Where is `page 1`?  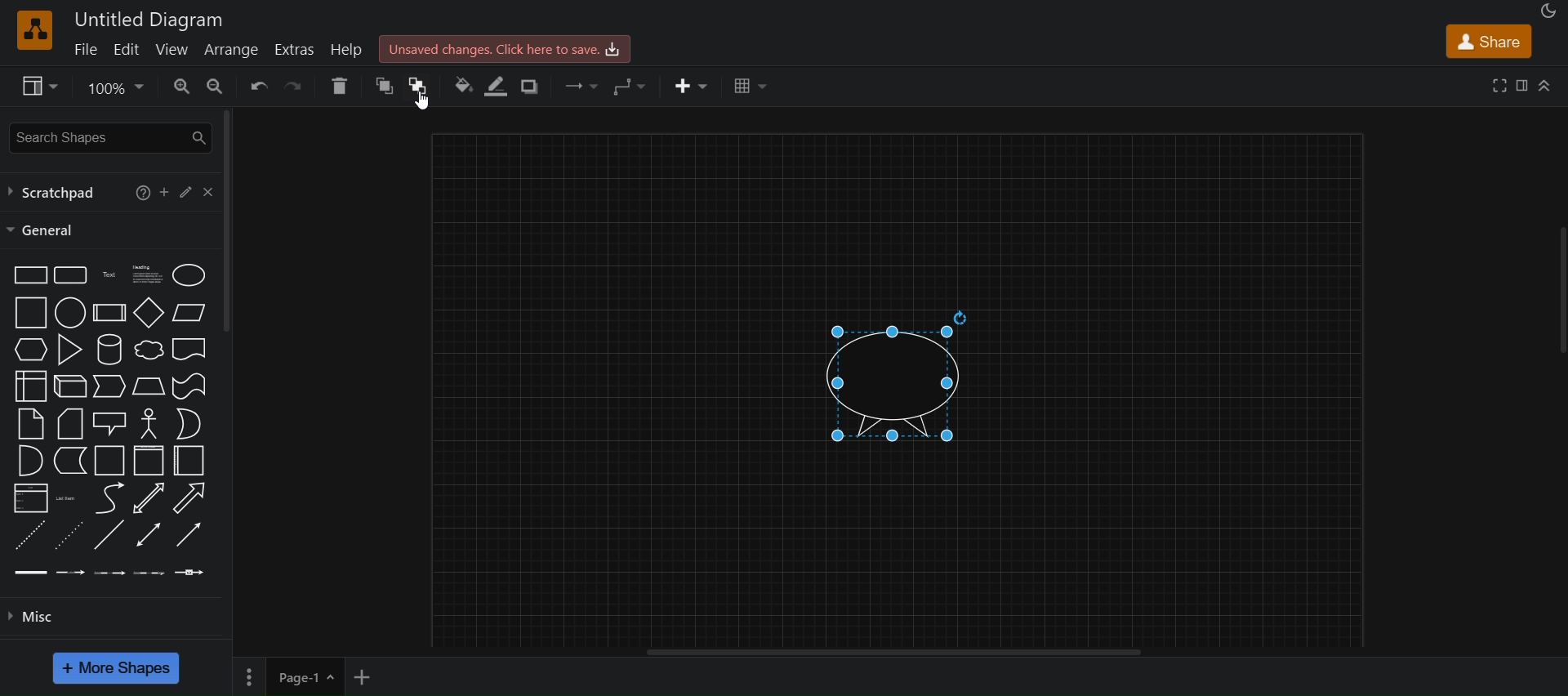
page 1 is located at coordinates (286, 676).